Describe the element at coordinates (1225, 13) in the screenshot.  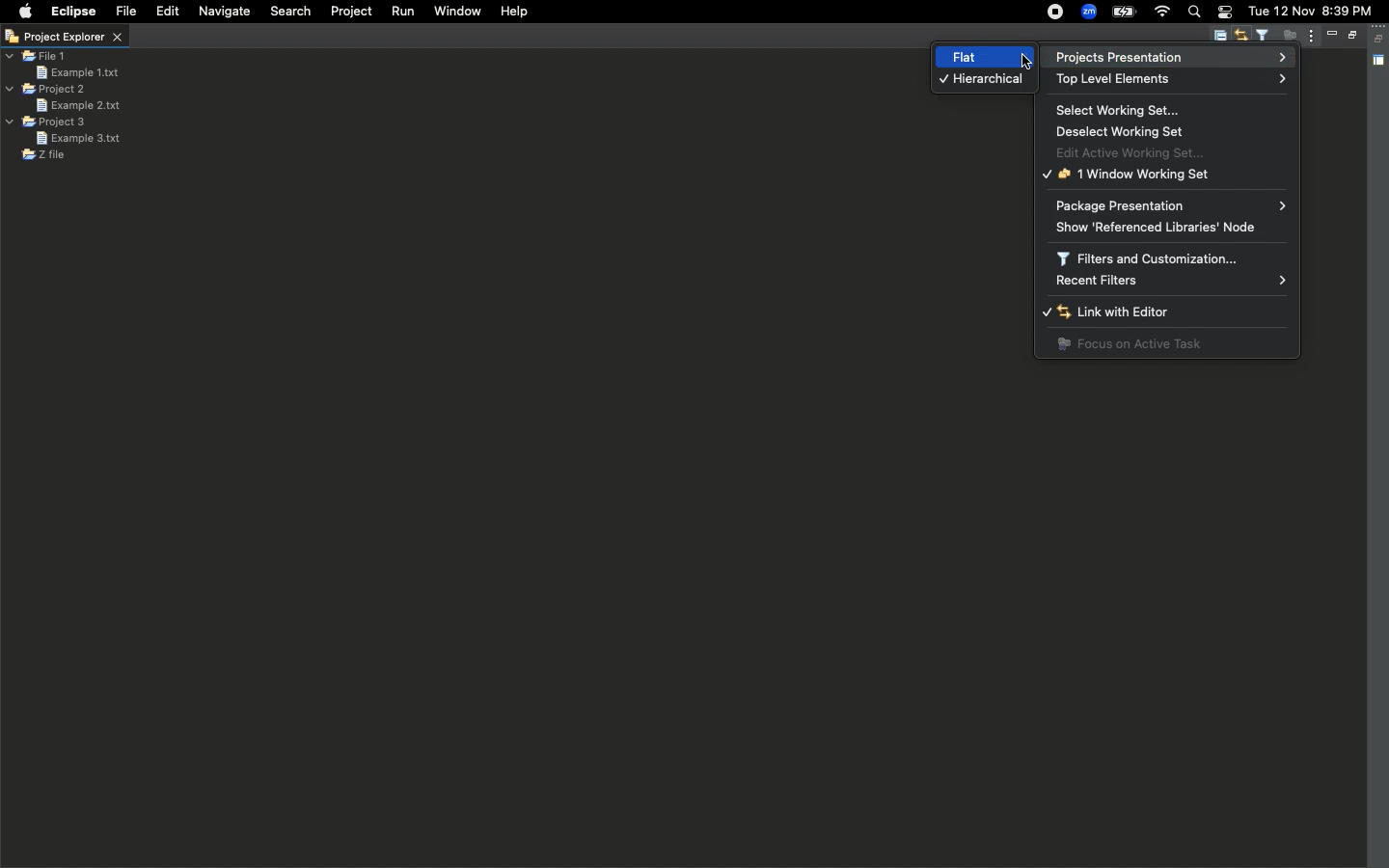
I see `Notification` at that location.